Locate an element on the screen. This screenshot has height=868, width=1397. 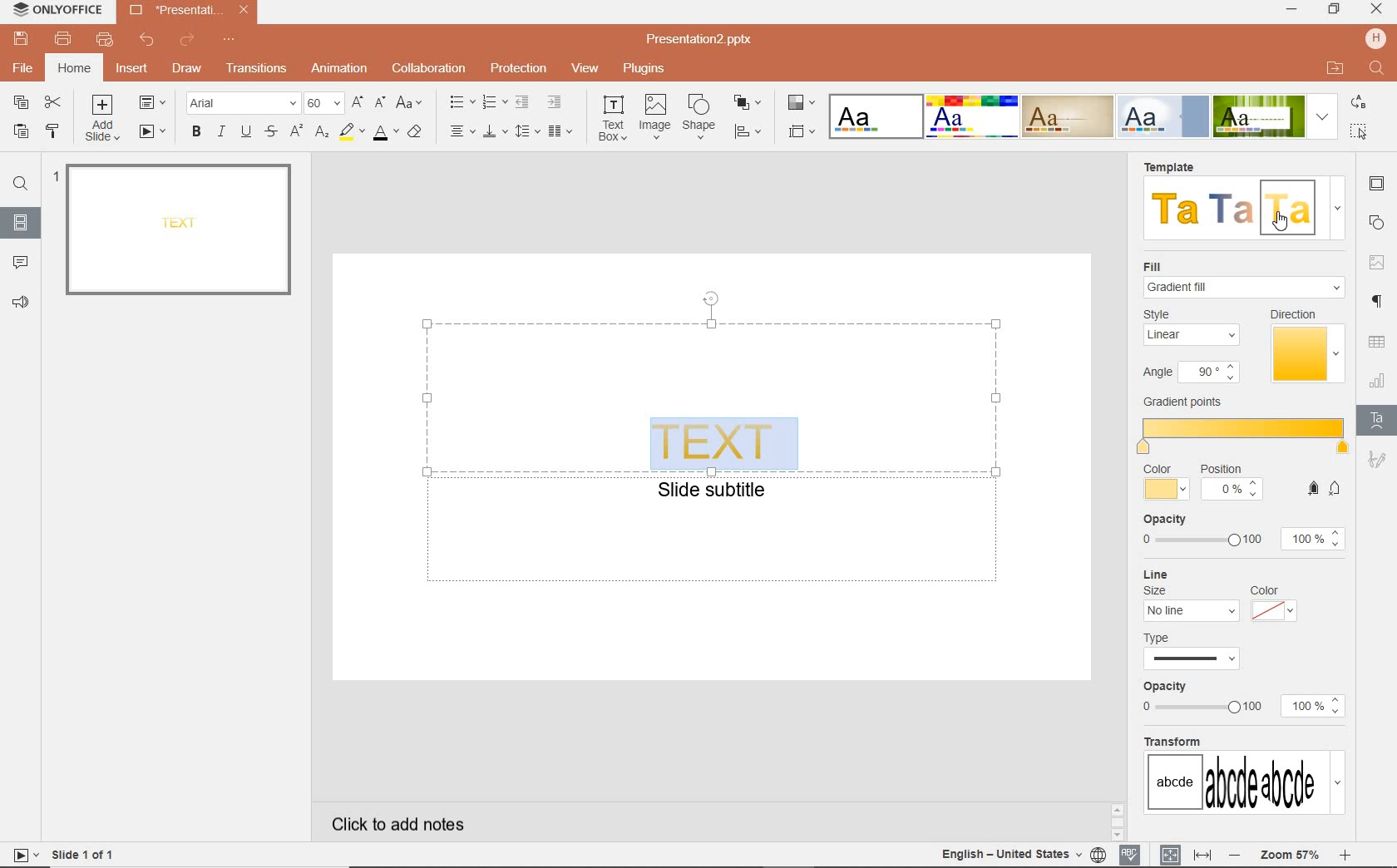
ADD SLIDE is located at coordinates (106, 118).